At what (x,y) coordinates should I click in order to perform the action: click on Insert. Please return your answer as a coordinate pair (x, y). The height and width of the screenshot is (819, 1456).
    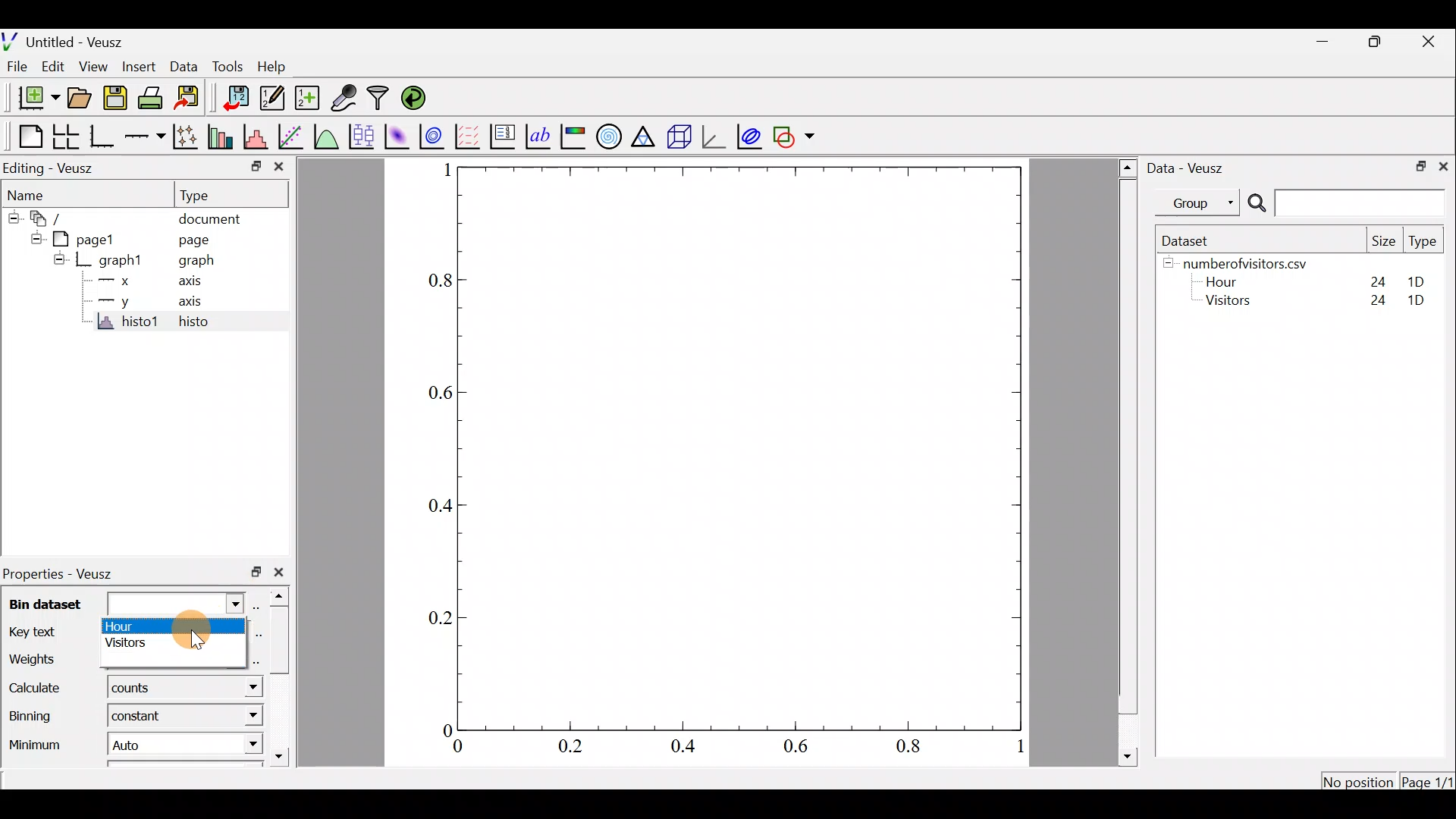
    Looking at the image, I should click on (140, 66).